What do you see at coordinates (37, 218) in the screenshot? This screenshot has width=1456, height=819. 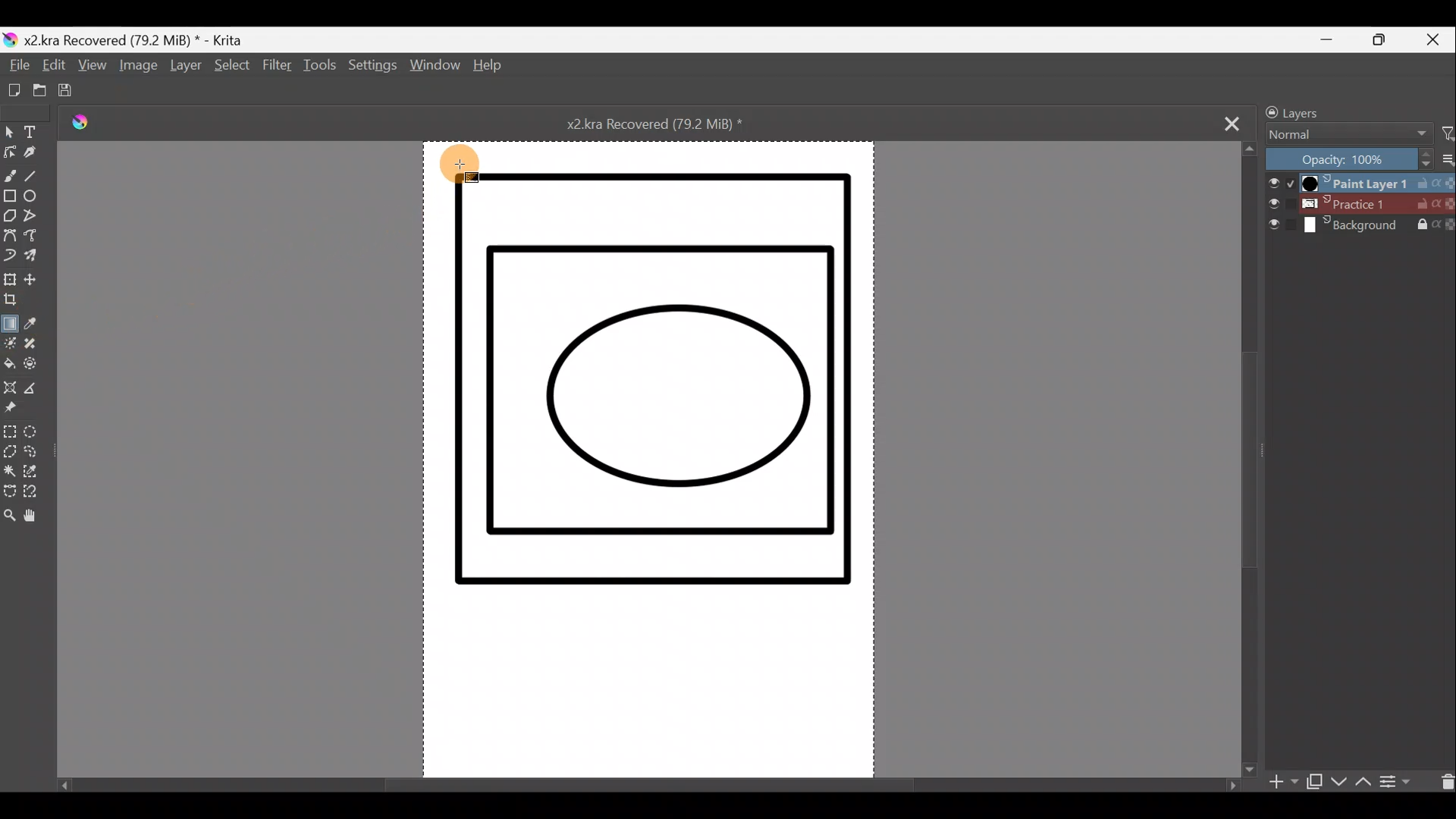 I see `Polyline tool` at bounding box center [37, 218].